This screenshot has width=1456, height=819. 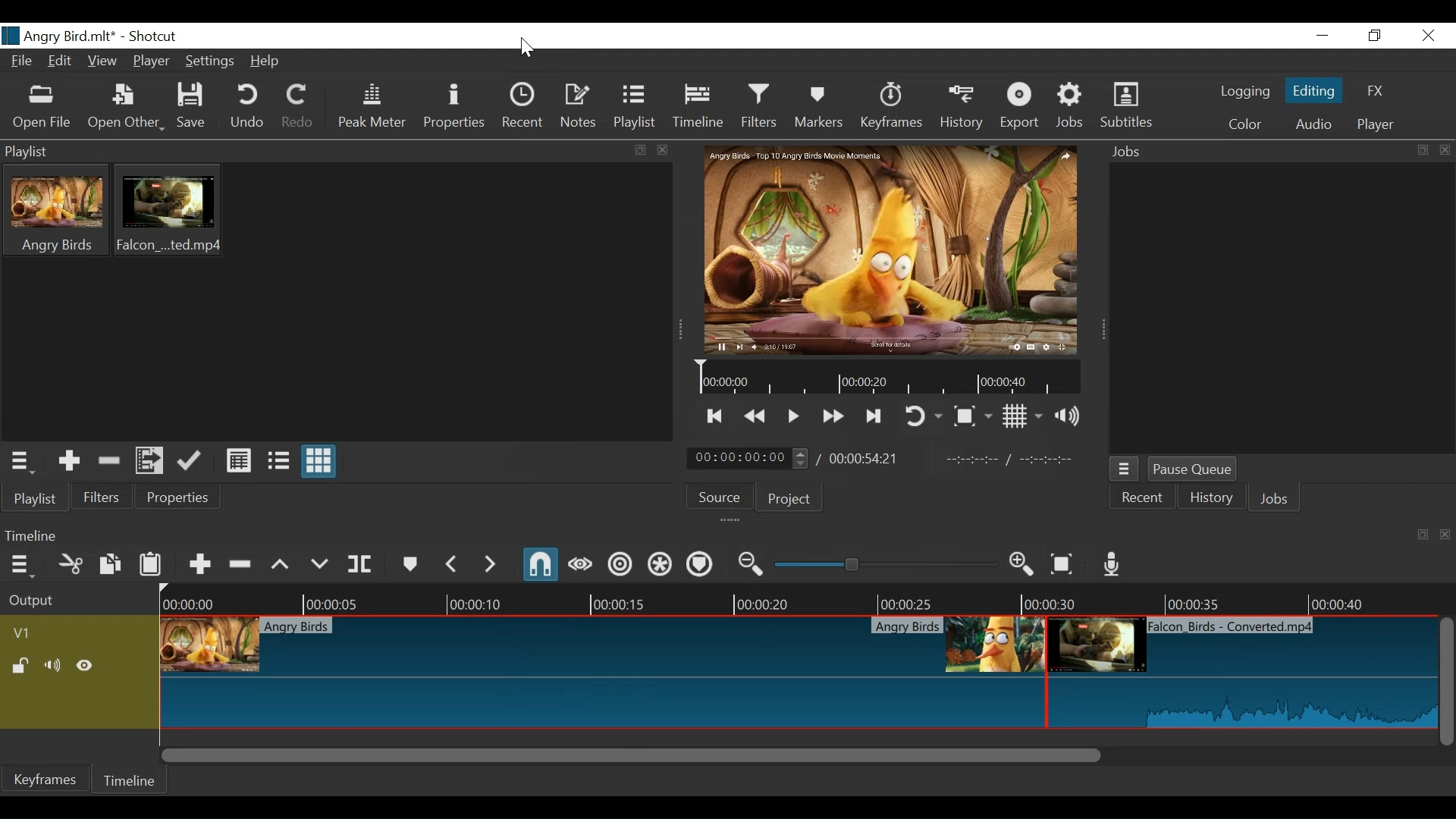 What do you see at coordinates (752, 564) in the screenshot?
I see `Zoom timeline out` at bounding box center [752, 564].